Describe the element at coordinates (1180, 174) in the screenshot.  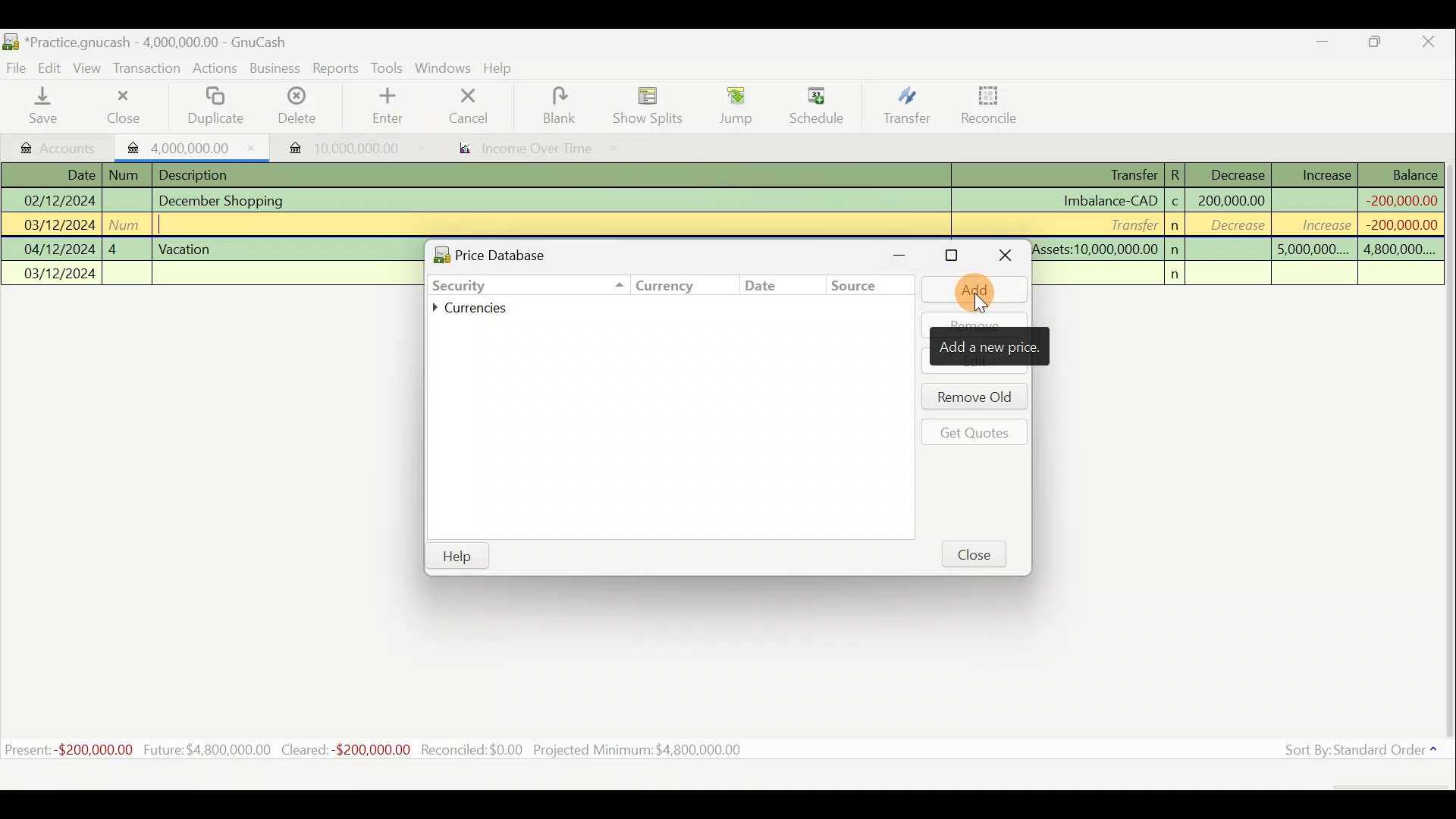
I see `R` at that location.